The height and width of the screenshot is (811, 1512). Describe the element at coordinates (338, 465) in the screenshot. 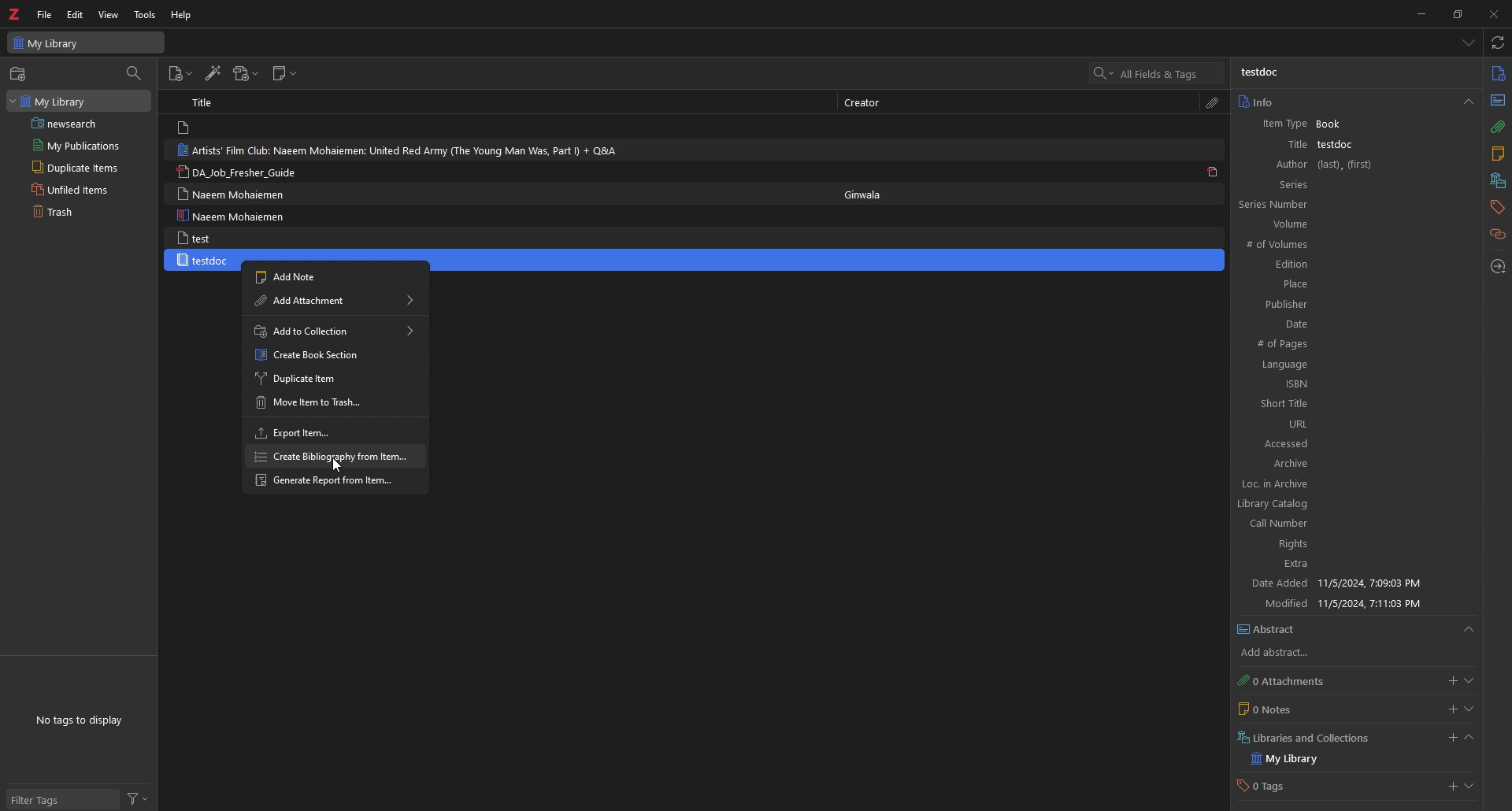

I see `cursor` at that location.